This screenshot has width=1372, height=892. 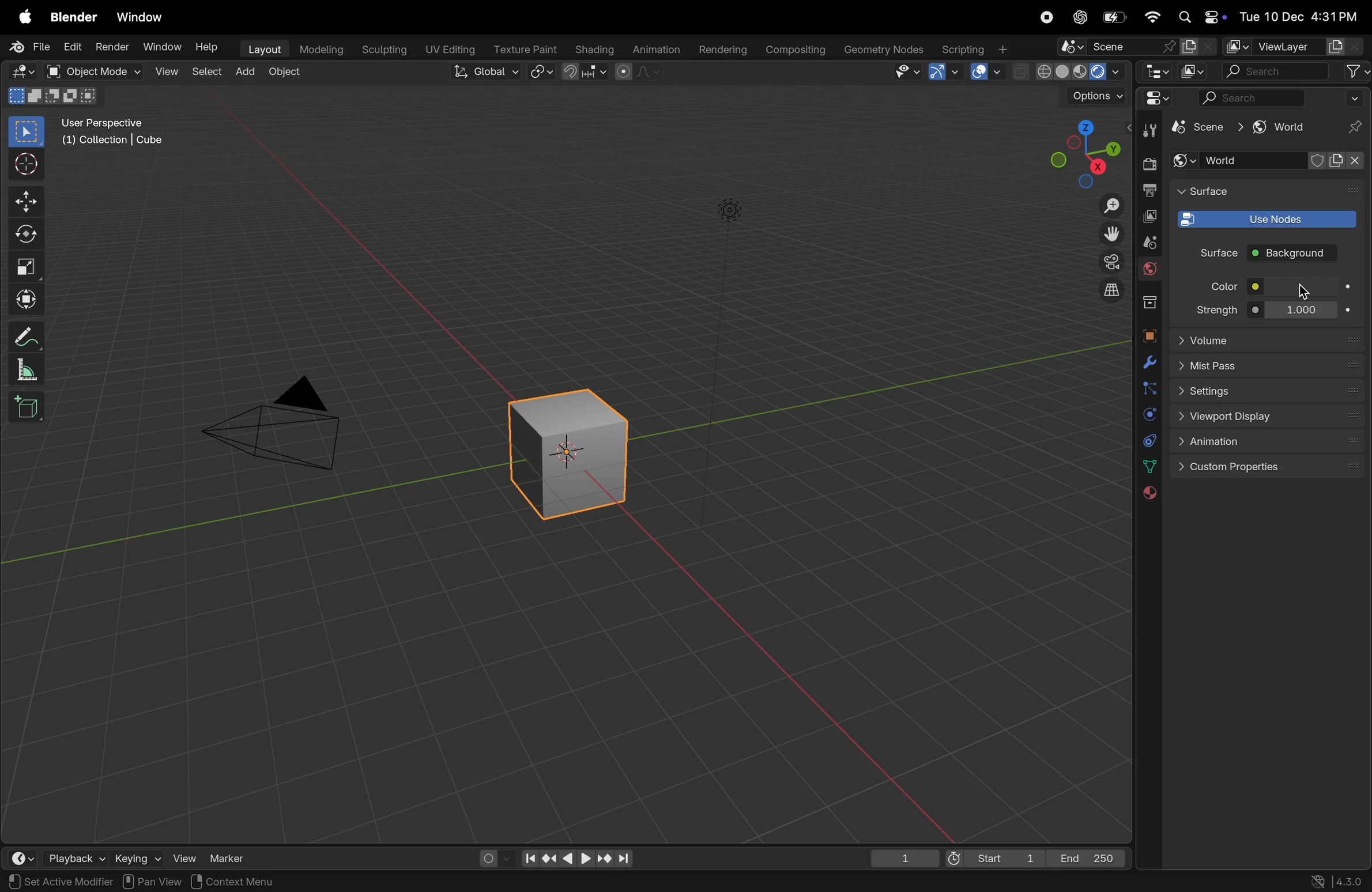 I want to click on World, so click(x=1272, y=161).